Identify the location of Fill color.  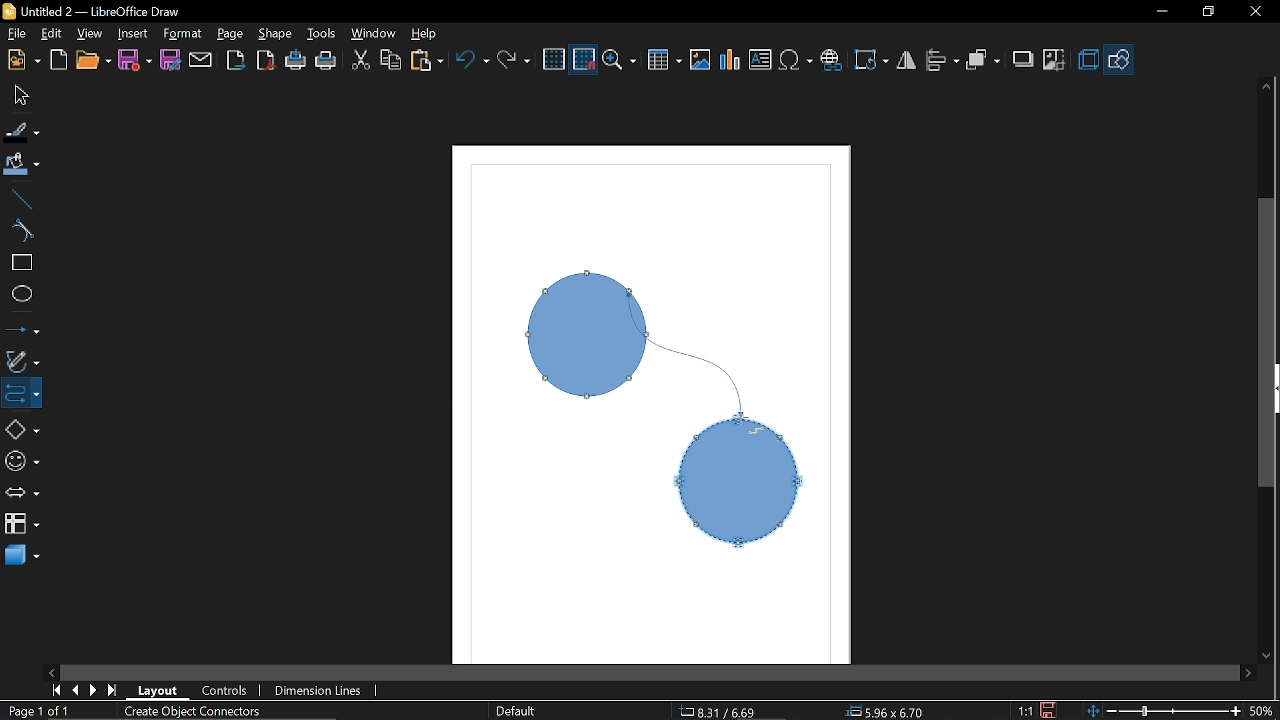
(20, 169).